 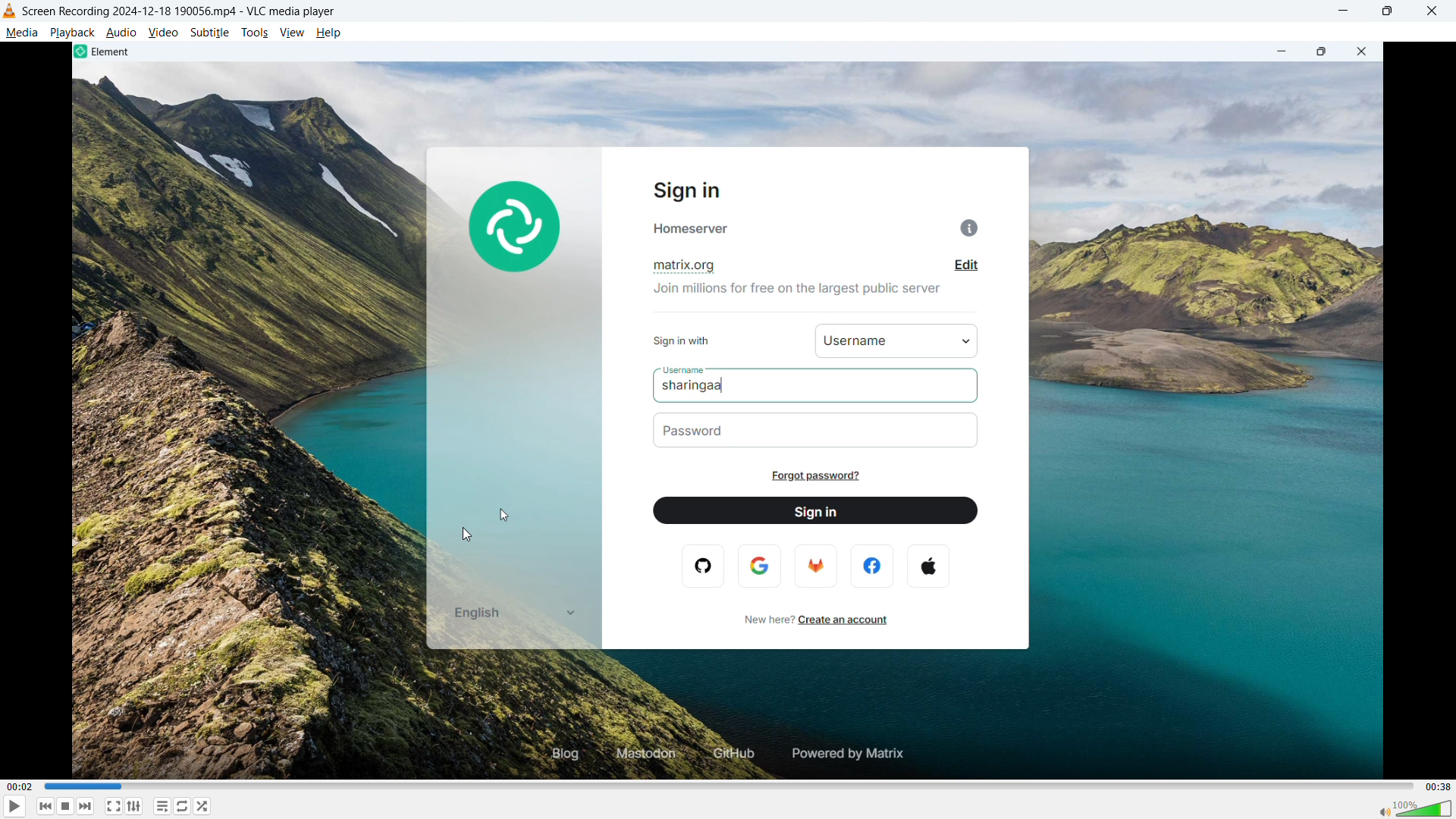 I want to click on help , so click(x=329, y=33).